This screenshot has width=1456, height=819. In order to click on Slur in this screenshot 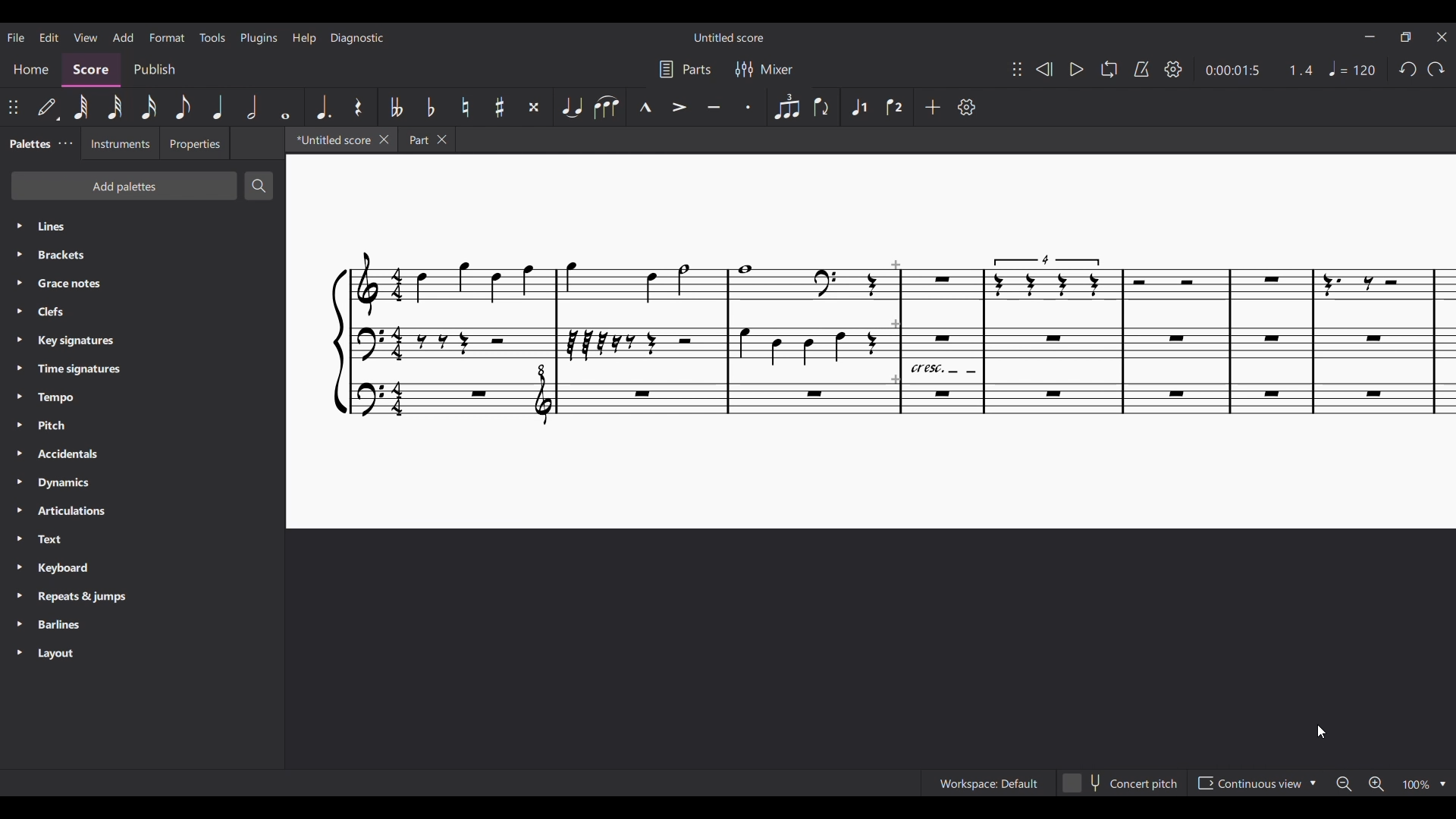, I will do `click(606, 107)`.